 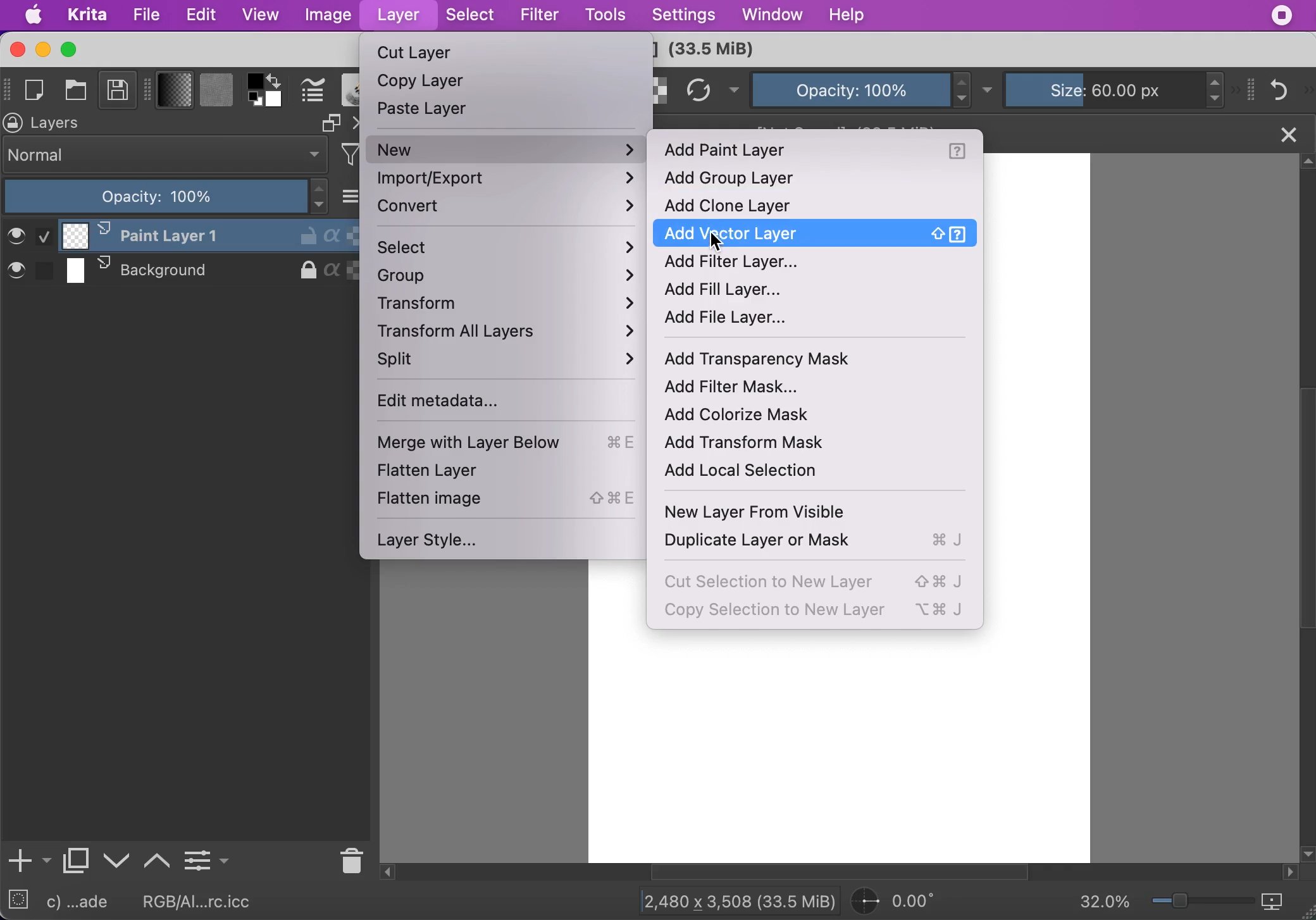 What do you see at coordinates (1105, 903) in the screenshot?
I see `zoom percentage` at bounding box center [1105, 903].